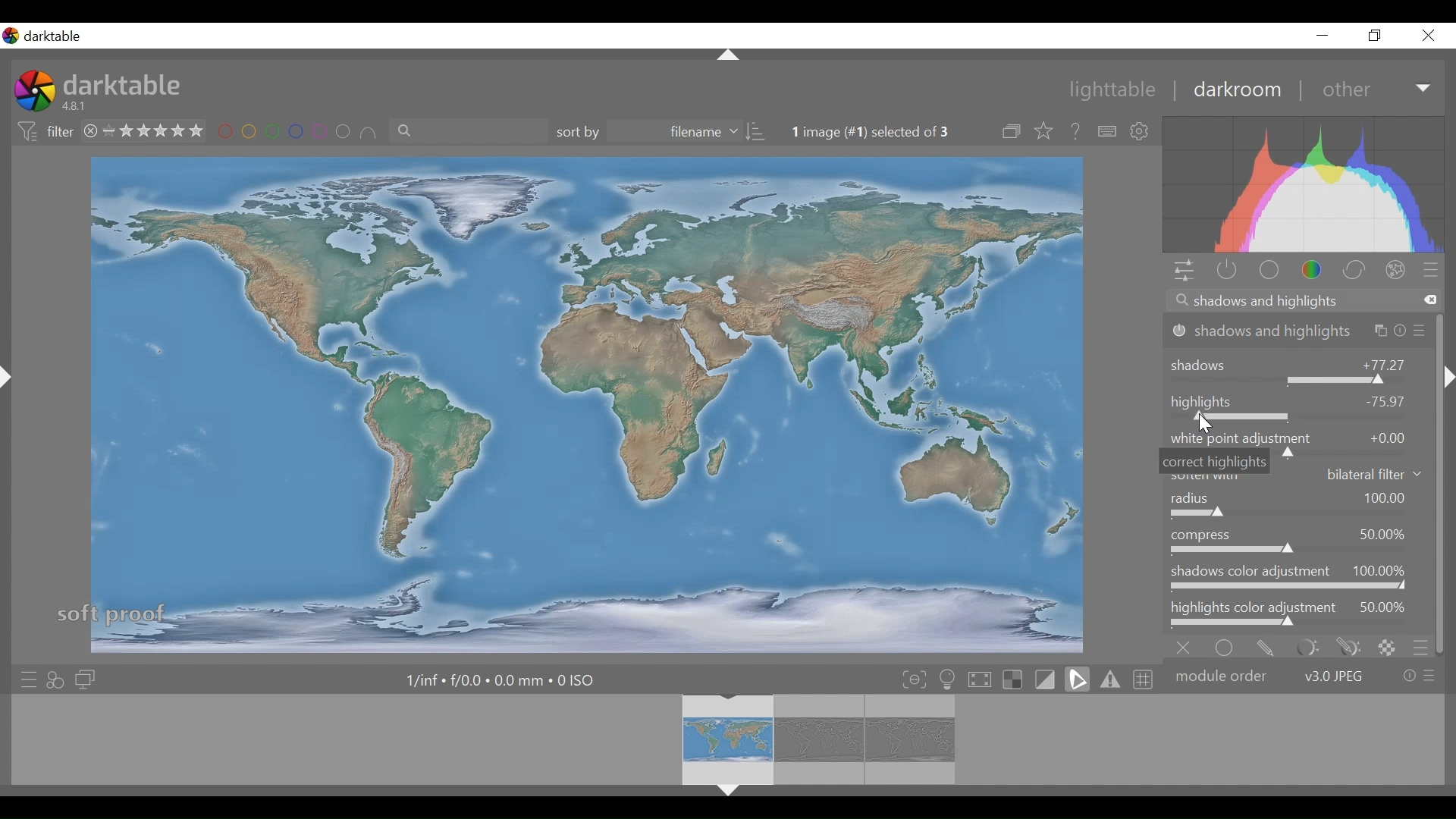 This screenshot has height=819, width=1456. Describe the element at coordinates (1326, 35) in the screenshot. I see `minimize` at that location.